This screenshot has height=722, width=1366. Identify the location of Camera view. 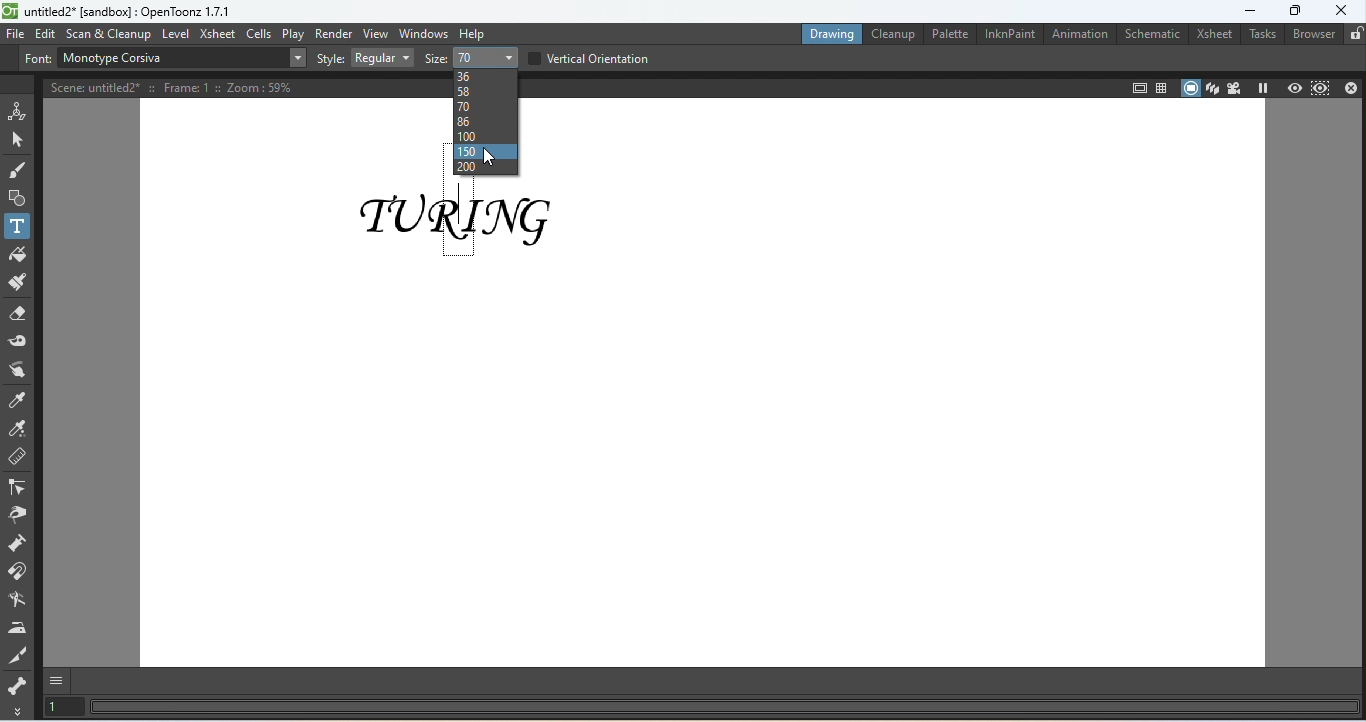
(1236, 89).